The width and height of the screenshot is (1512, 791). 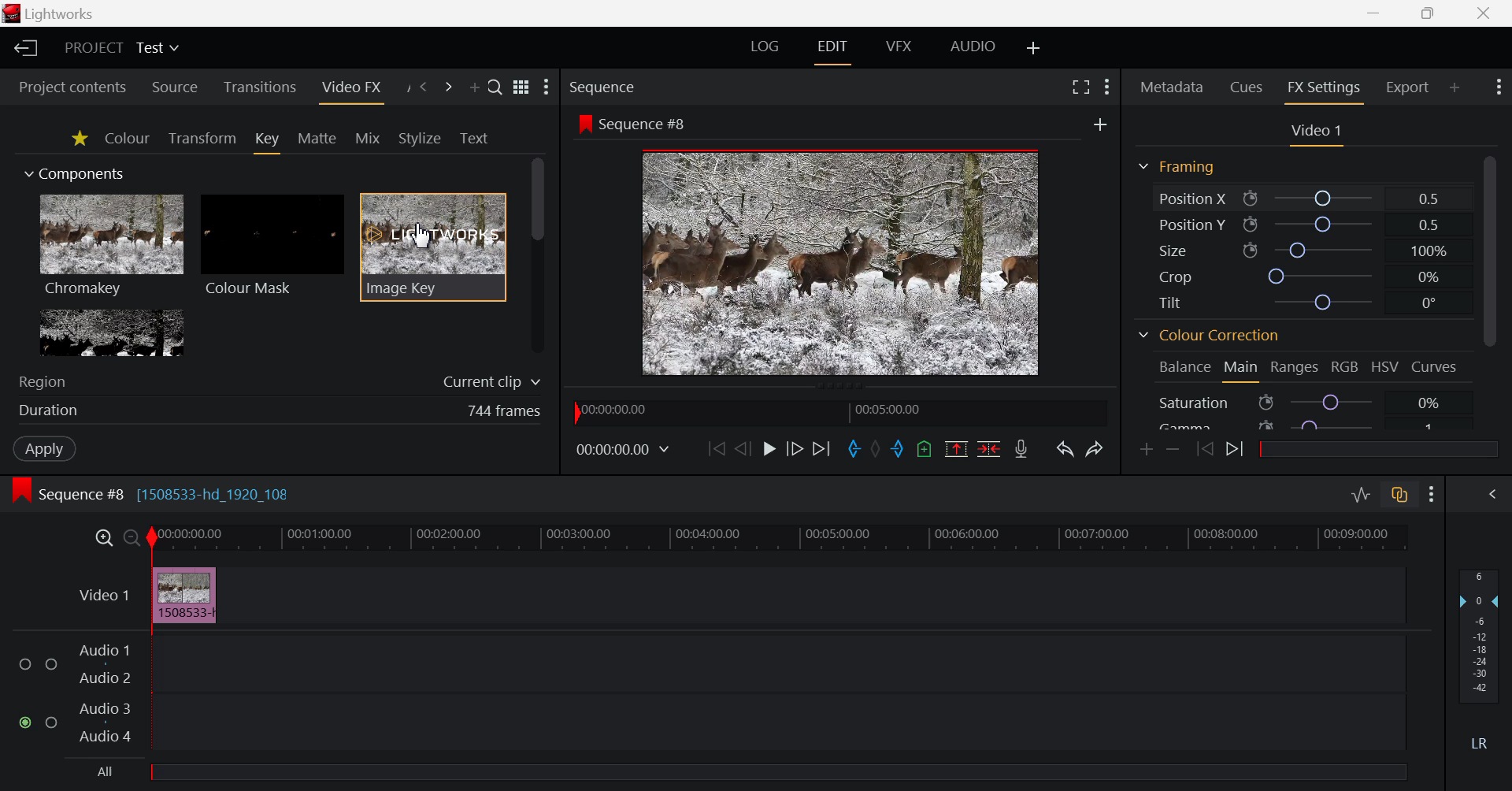 I want to click on Audio 1, so click(x=104, y=652).